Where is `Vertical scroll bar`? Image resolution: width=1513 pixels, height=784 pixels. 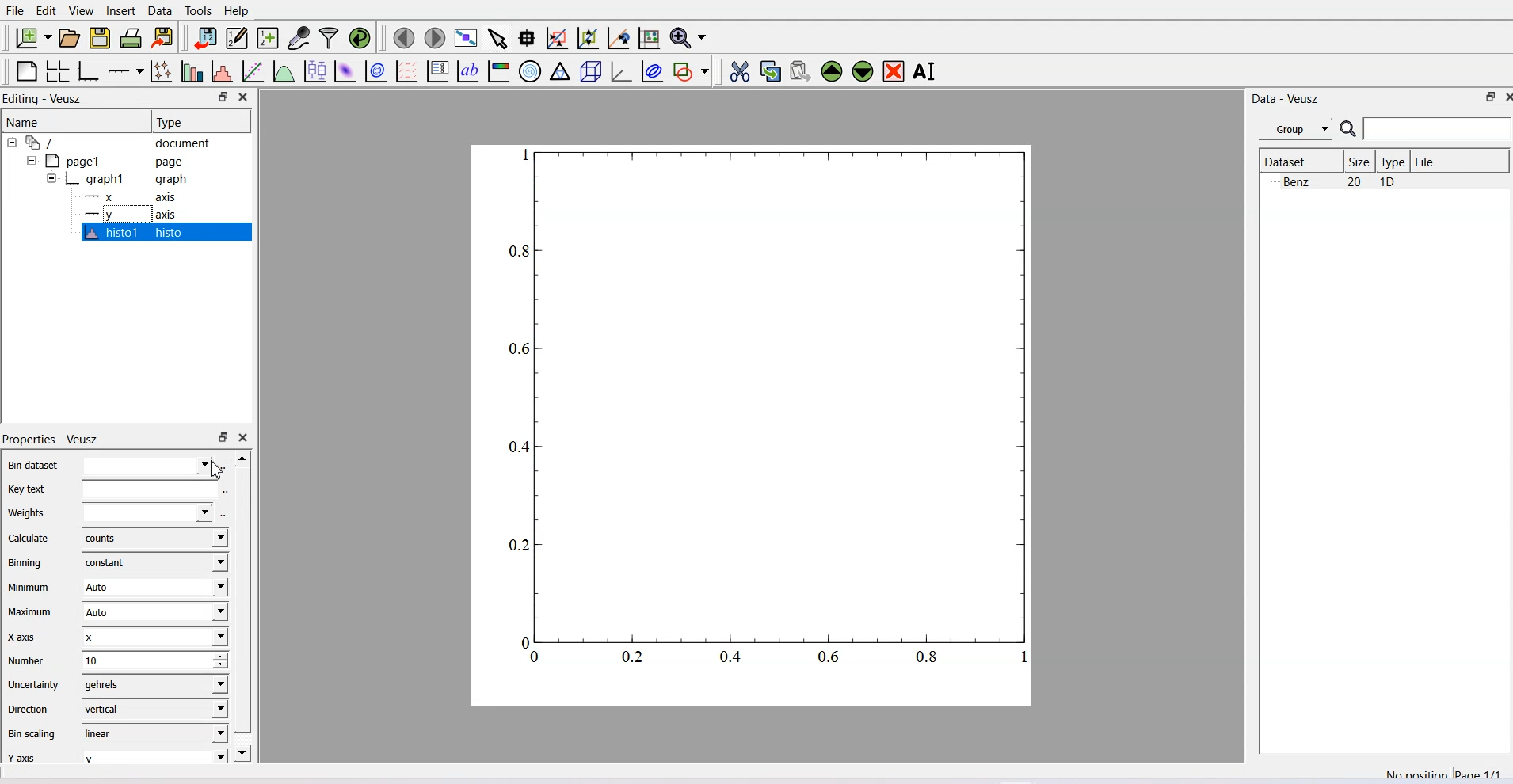
Vertical scroll bar is located at coordinates (243, 599).